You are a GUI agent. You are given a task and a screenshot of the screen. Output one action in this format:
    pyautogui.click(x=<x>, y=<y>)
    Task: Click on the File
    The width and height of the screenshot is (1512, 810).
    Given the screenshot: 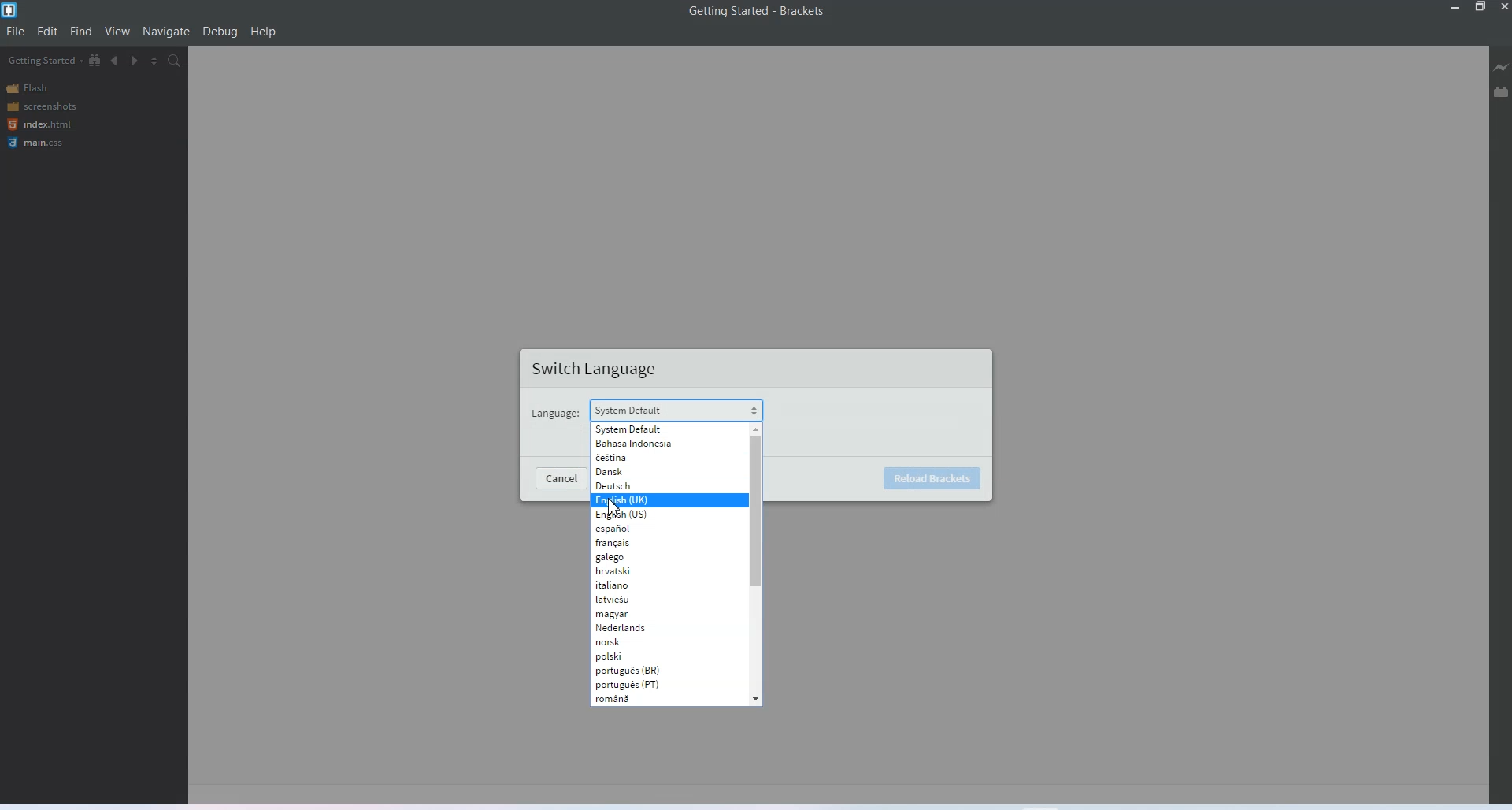 What is the action you would take?
    pyautogui.click(x=16, y=32)
    